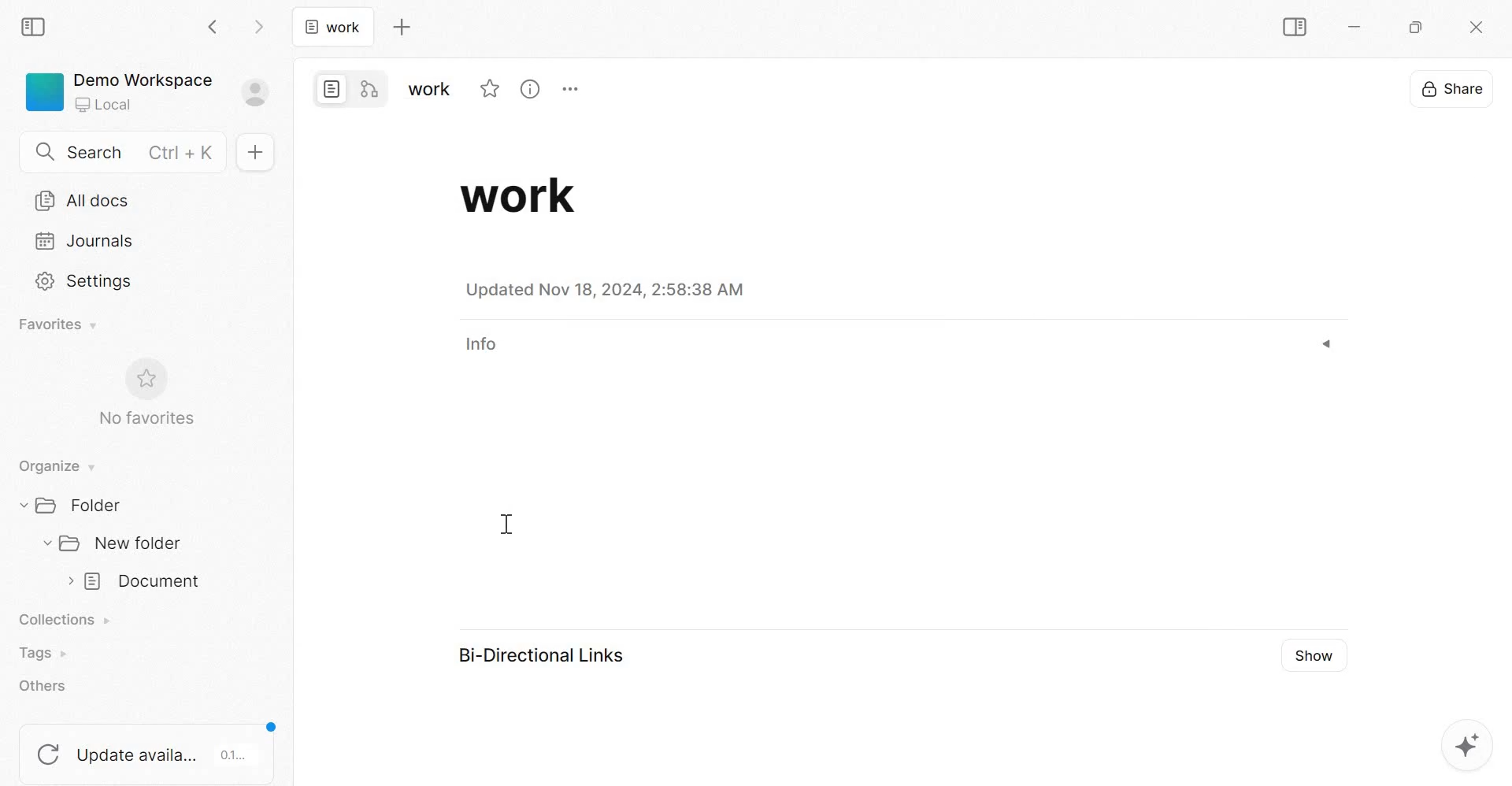  I want to click on Folder, so click(76, 504).